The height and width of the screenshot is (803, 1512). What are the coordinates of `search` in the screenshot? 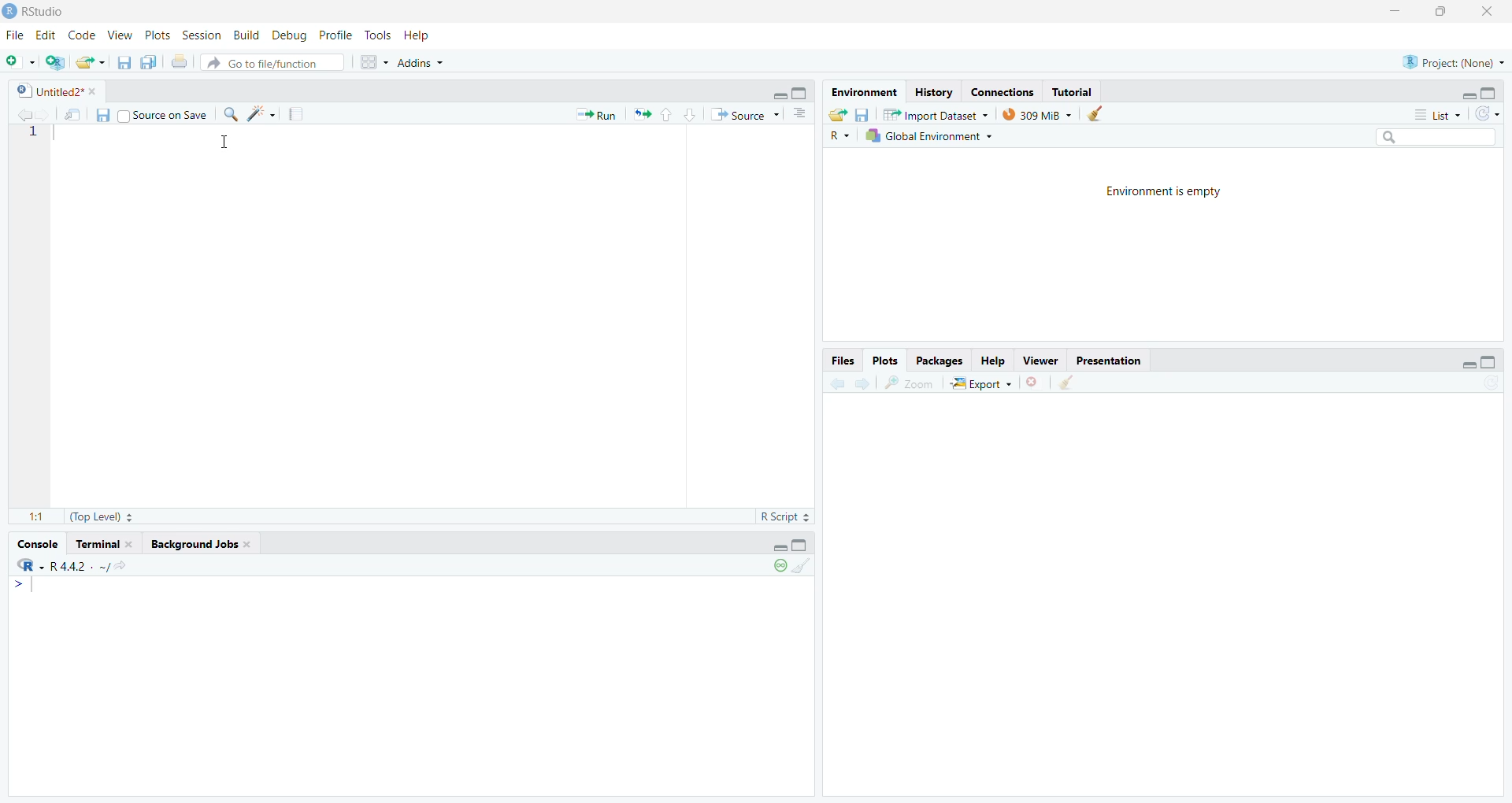 It's located at (1440, 135).